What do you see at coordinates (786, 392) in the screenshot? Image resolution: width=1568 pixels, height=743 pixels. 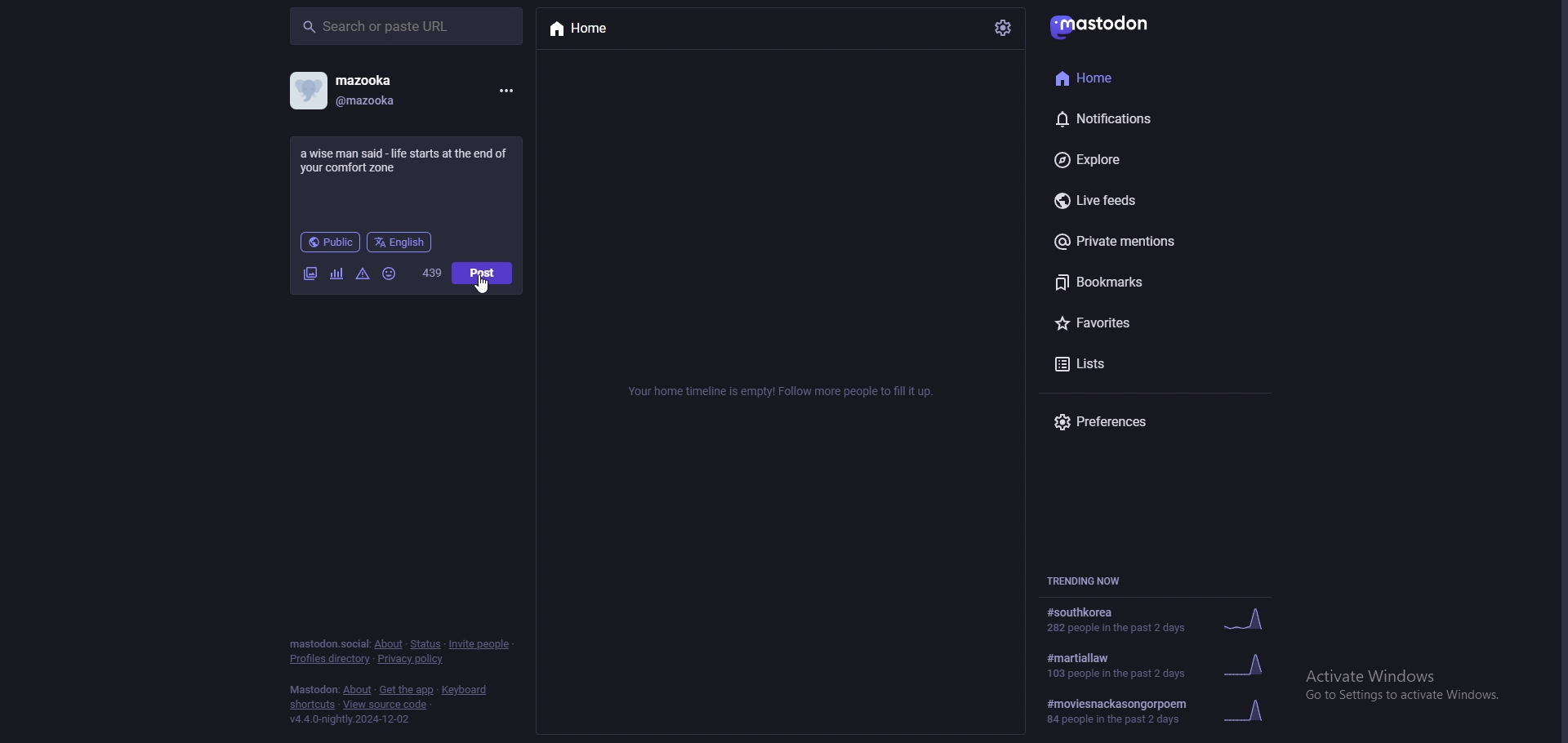 I see `info` at bounding box center [786, 392].